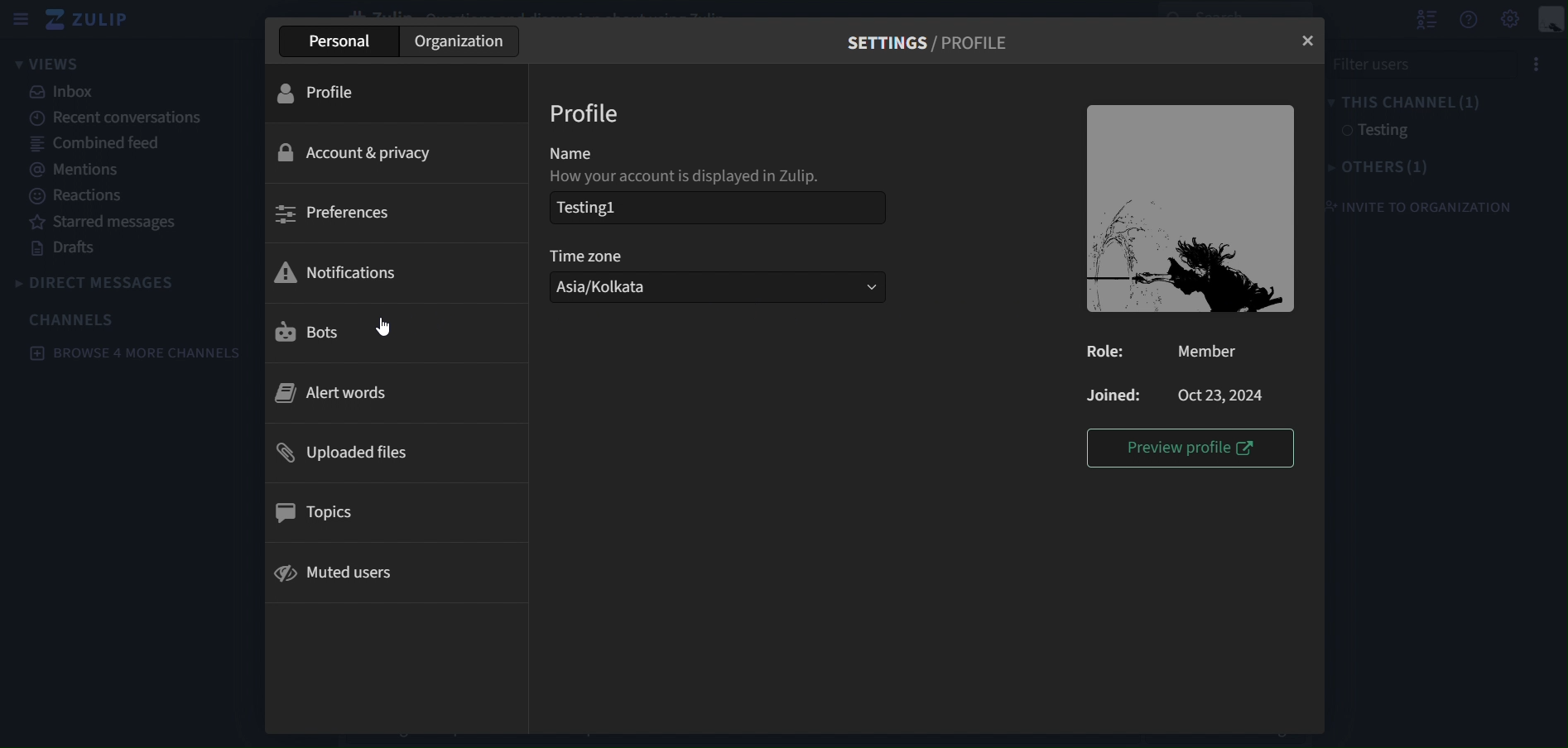  Describe the element at coordinates (98, 280) in the screenshot. I see `direct messages` at that location.